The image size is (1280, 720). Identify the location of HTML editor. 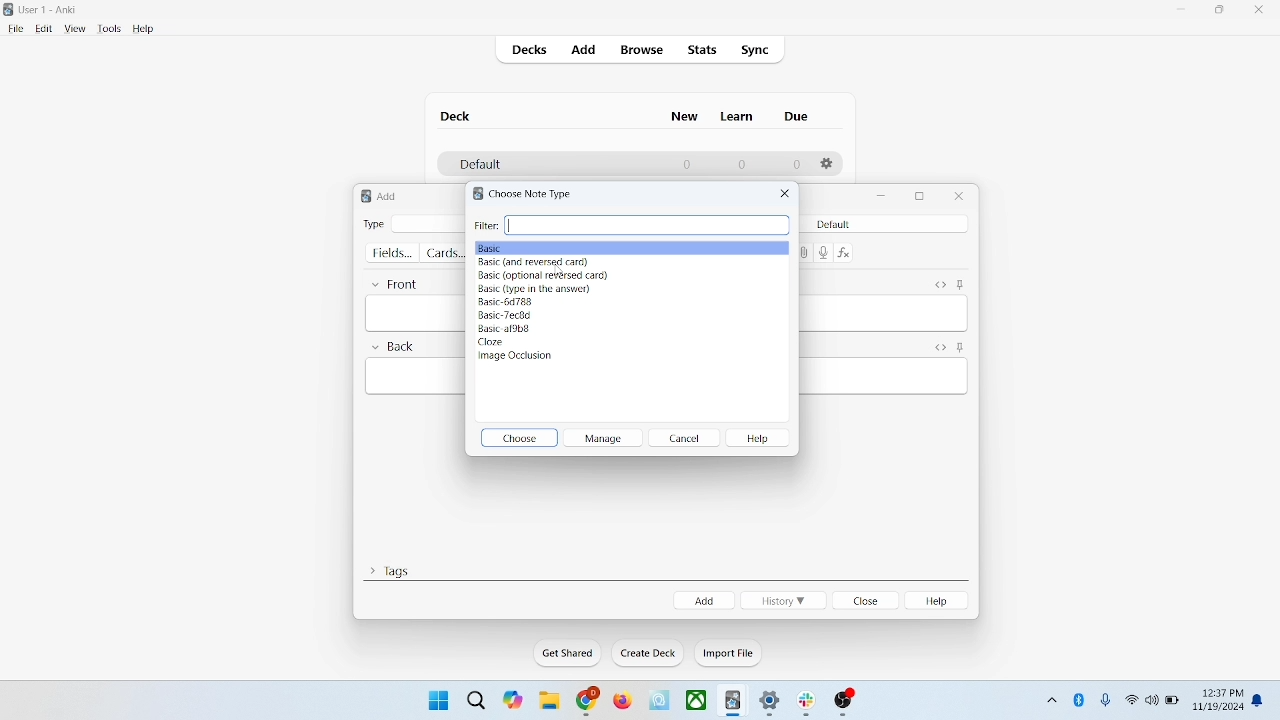
(939, 284).